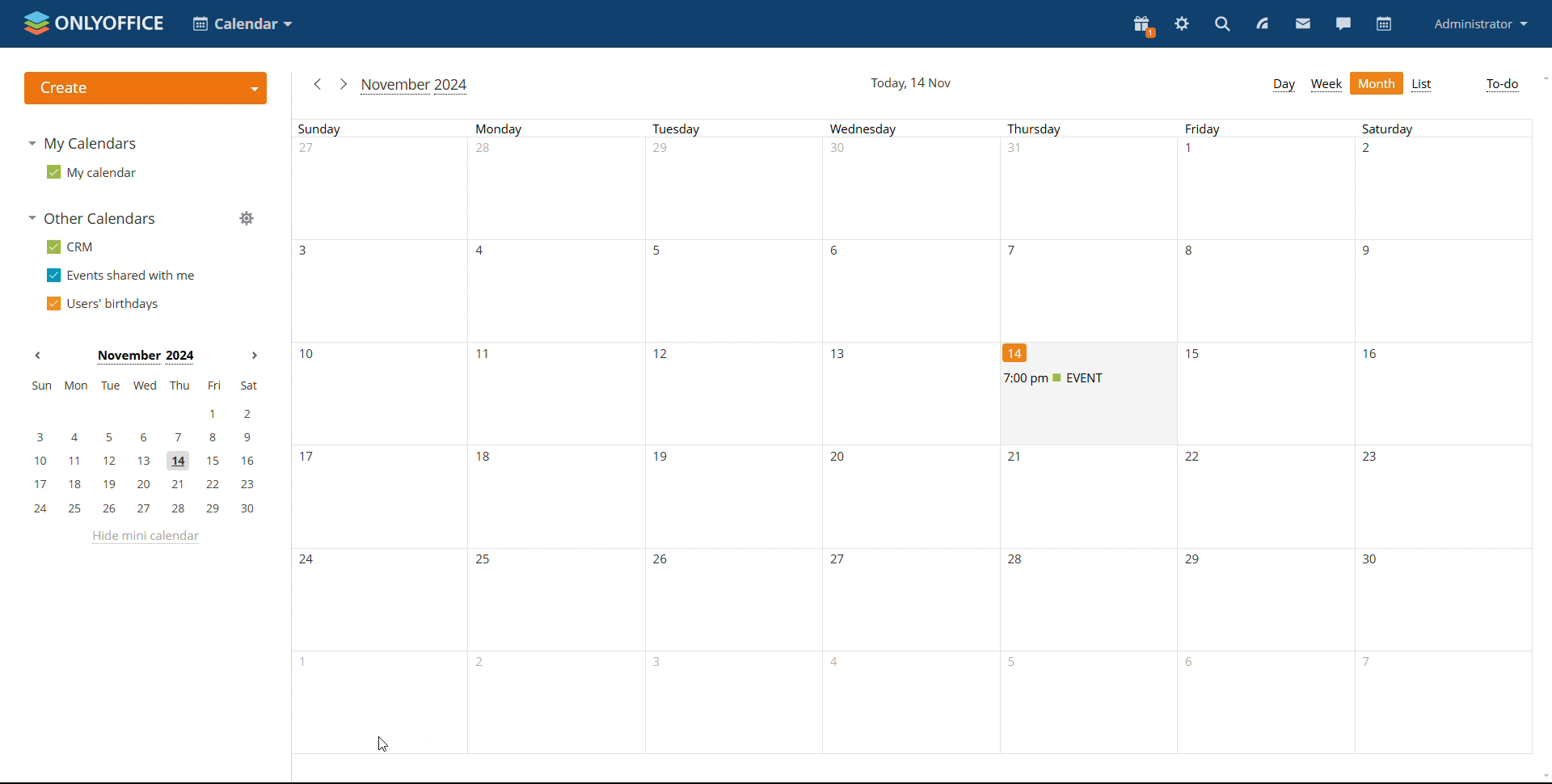 This screenshot has height=784, width=1552. What do you see at coordinates (1326, 84) in the screenshot?
I see `week view` at bounding box center [1326, 84].